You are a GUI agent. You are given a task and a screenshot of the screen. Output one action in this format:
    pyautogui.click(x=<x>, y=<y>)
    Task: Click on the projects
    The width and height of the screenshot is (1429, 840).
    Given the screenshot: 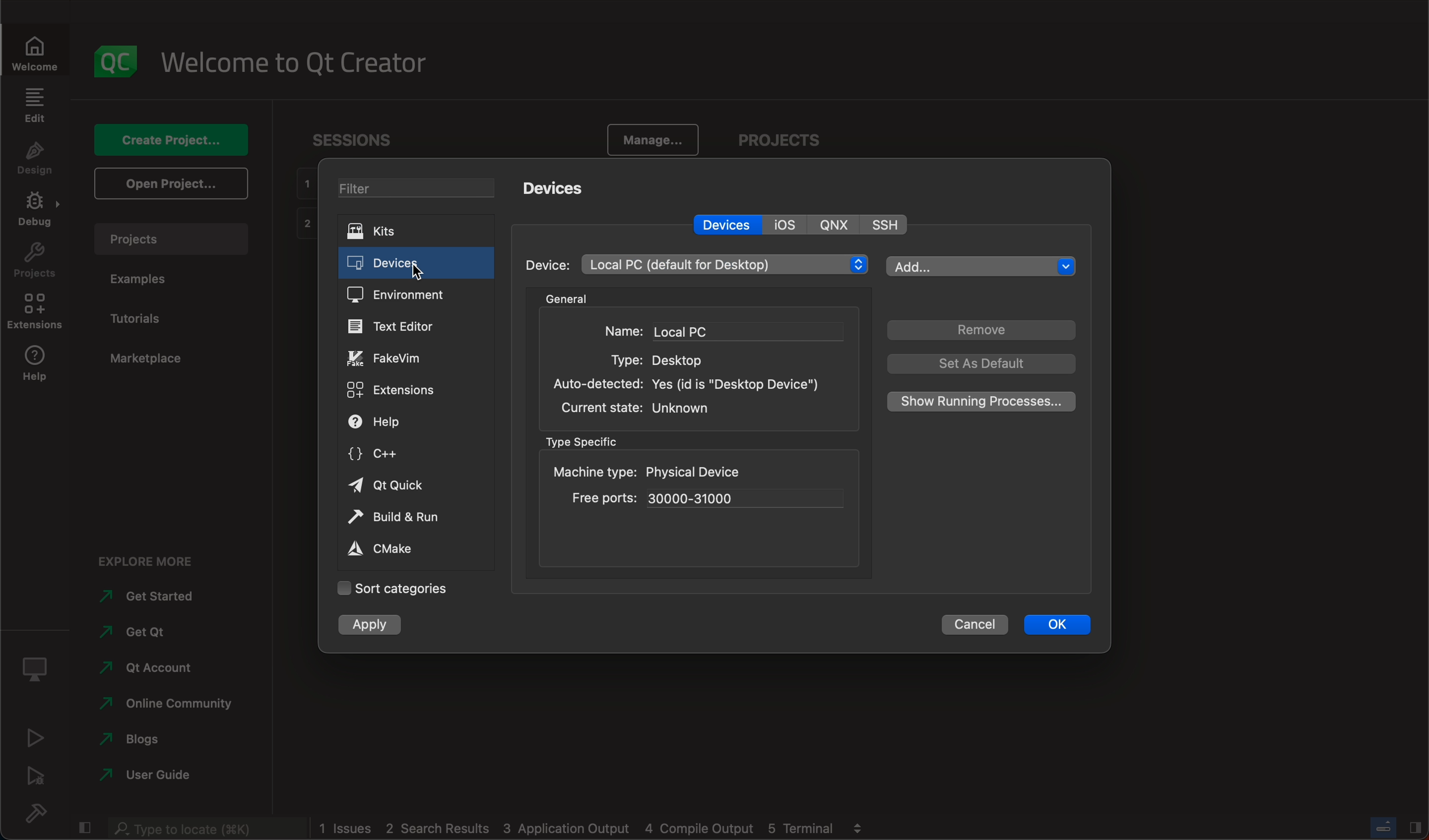 What is the action you would take?
    pyautogui.click(x=172, y=238)
    